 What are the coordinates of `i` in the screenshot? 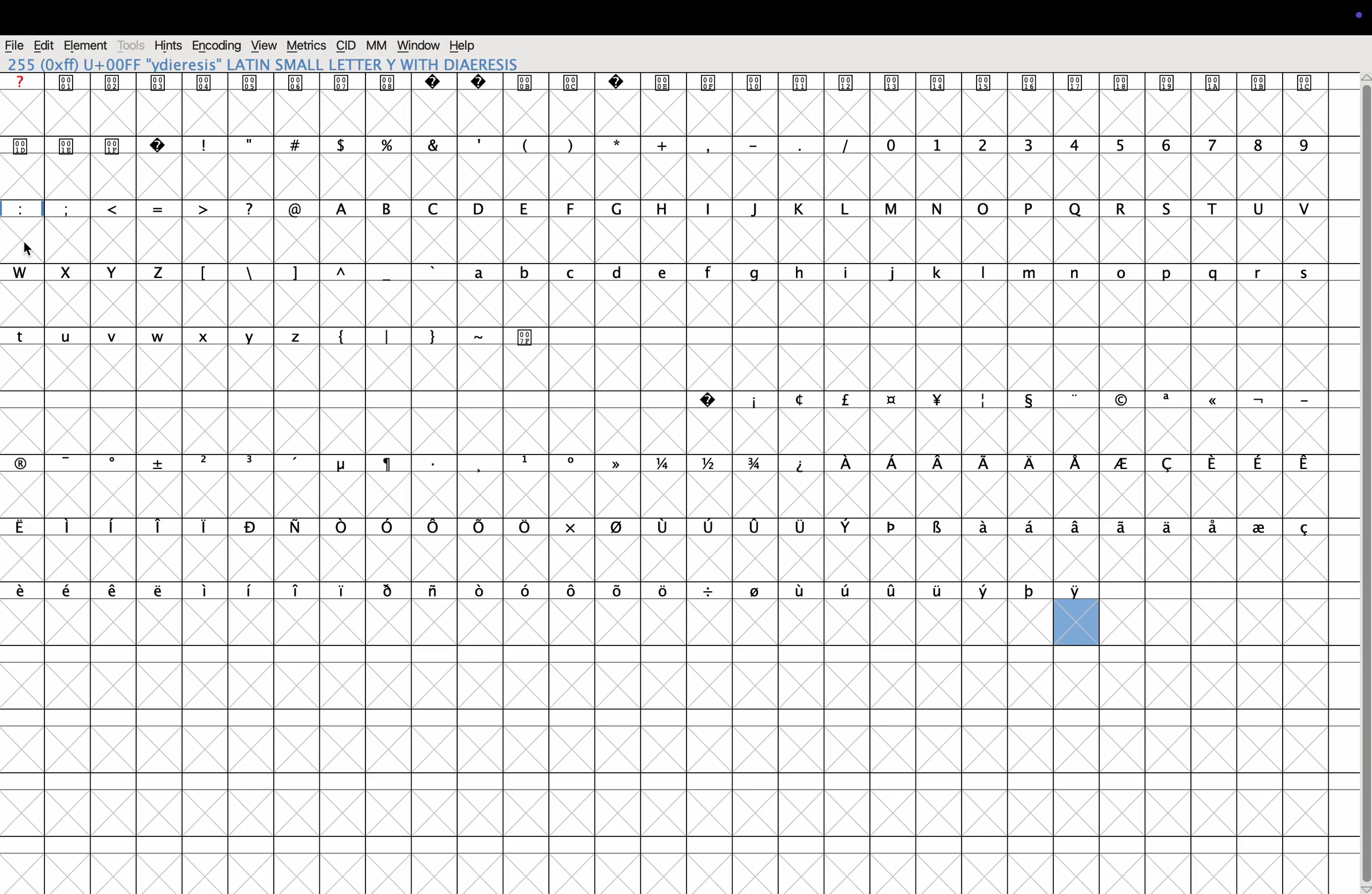 It's located at (710, 231).